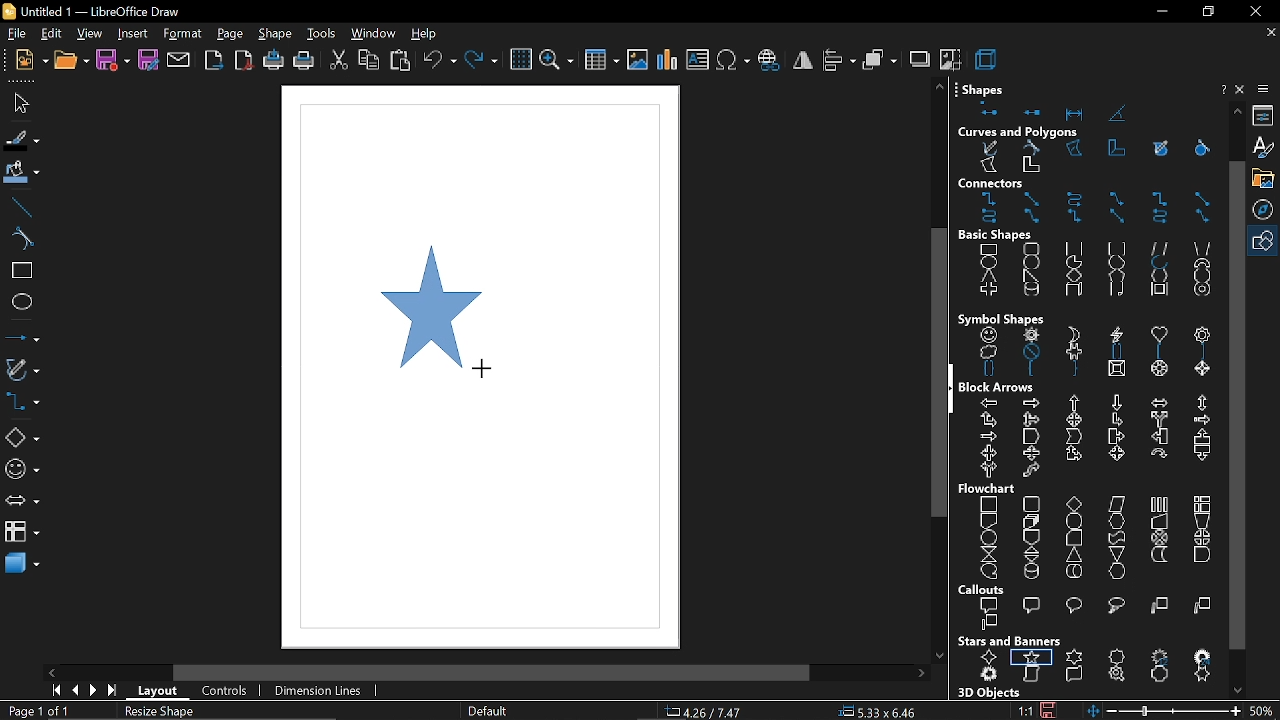 The image size is (1280, 720). What do you see at coordinates (984, 88) in the screenshot?
I see `shapes` at bounding box center [984, 88].